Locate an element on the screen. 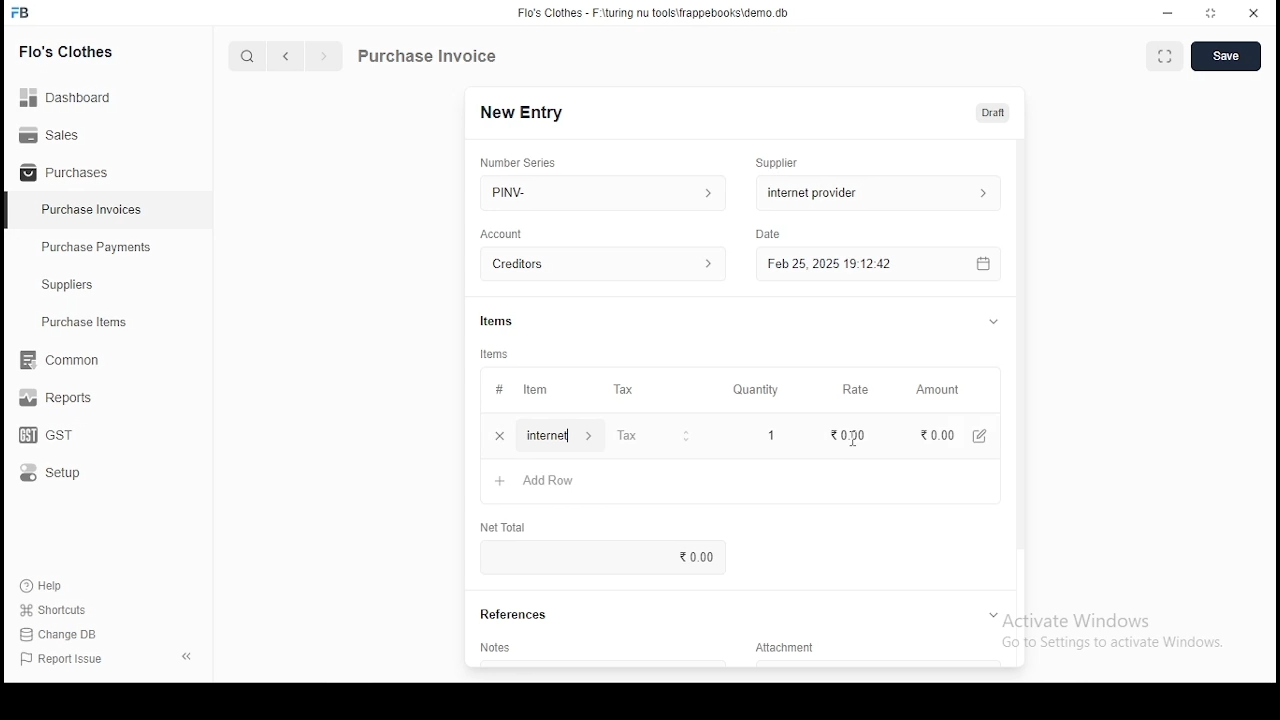  1 is located at coordinates (765, 435).